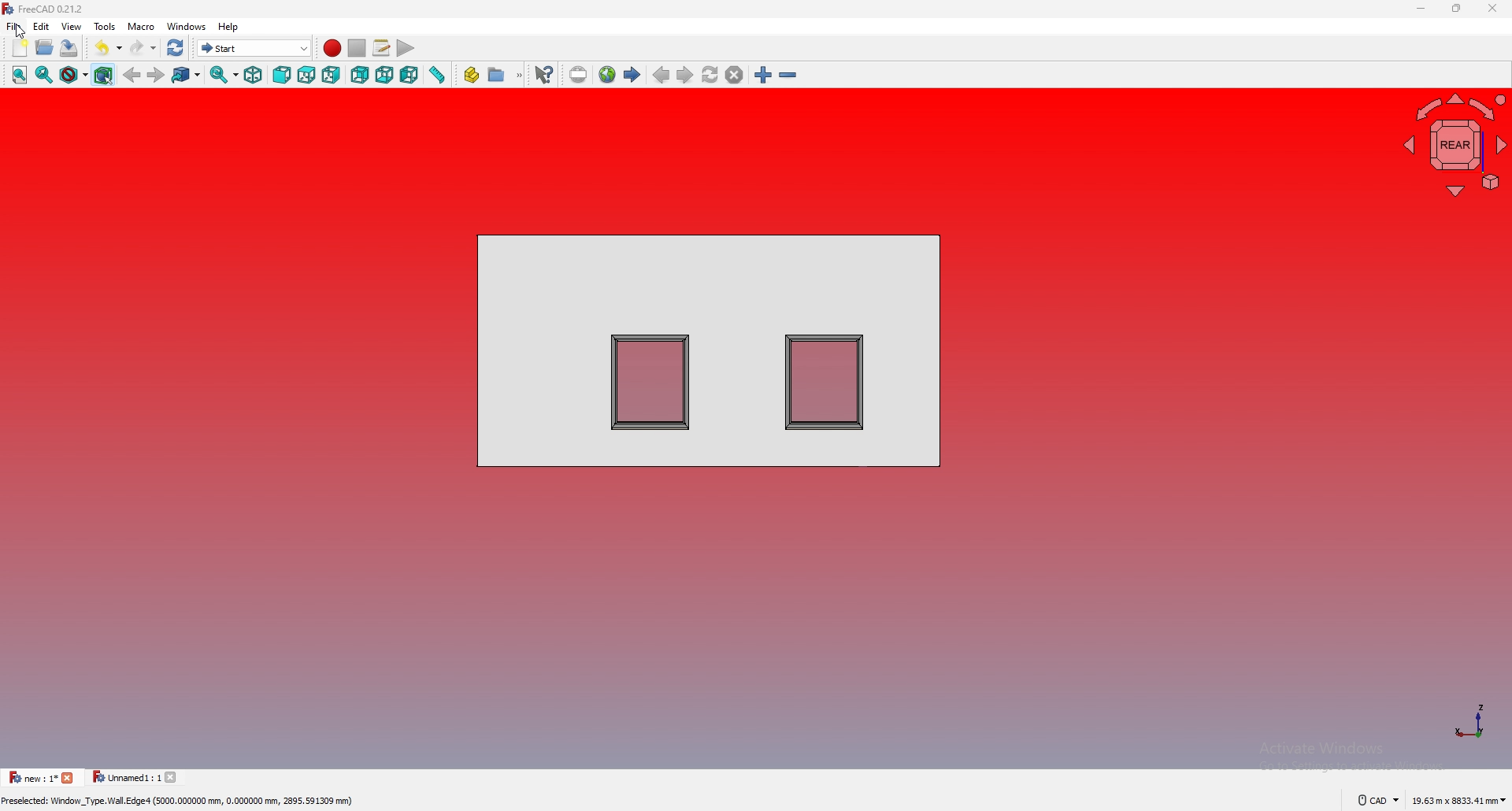  What do you see at coordinates (1455, 146) in the screenshot?
I see `navigating cube` at bounding box center [1455, 146].